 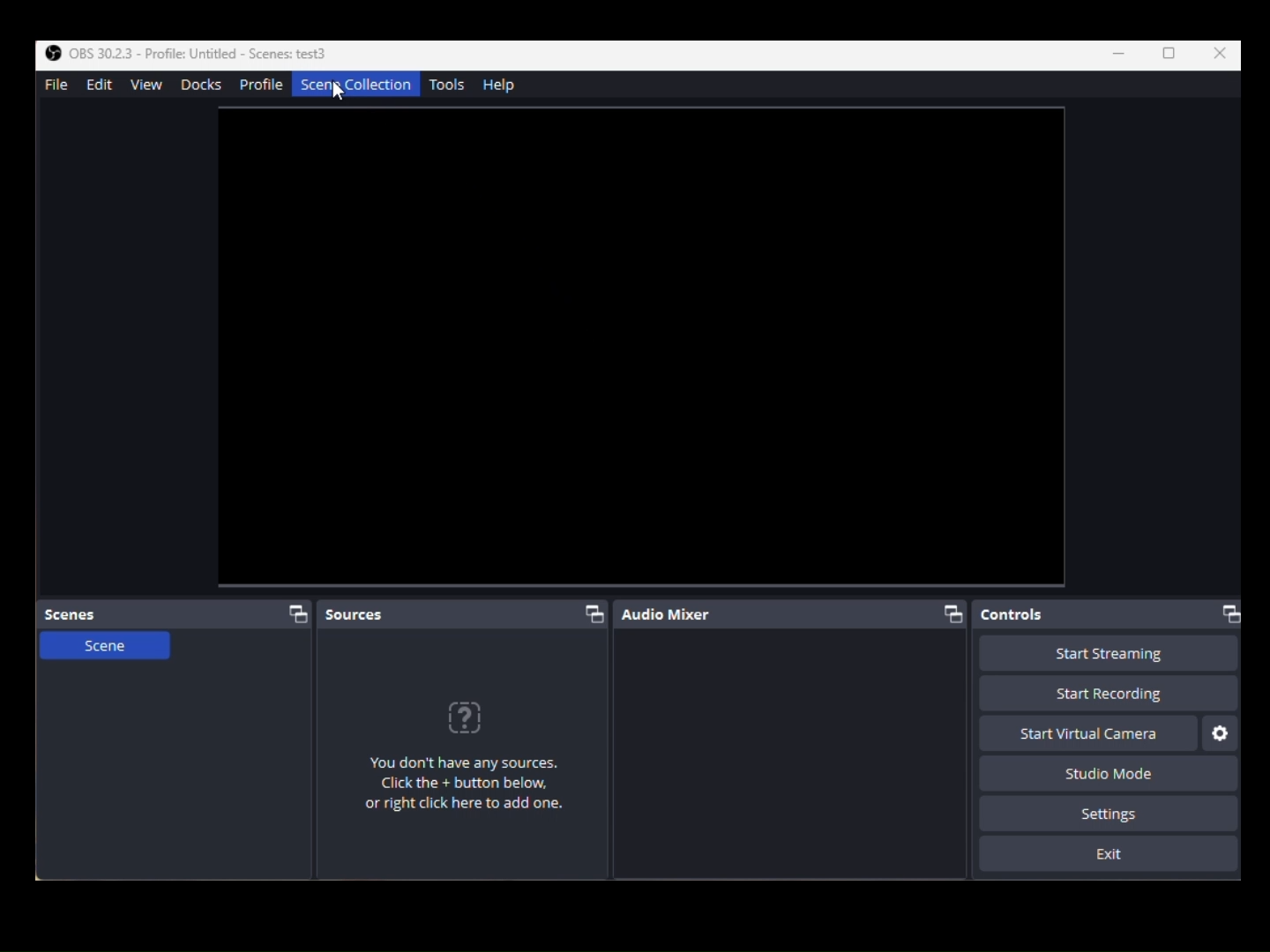 What do you see at coordinates (55, 84) in the screenshot?
I see `File` at bounding box center [55, 84].